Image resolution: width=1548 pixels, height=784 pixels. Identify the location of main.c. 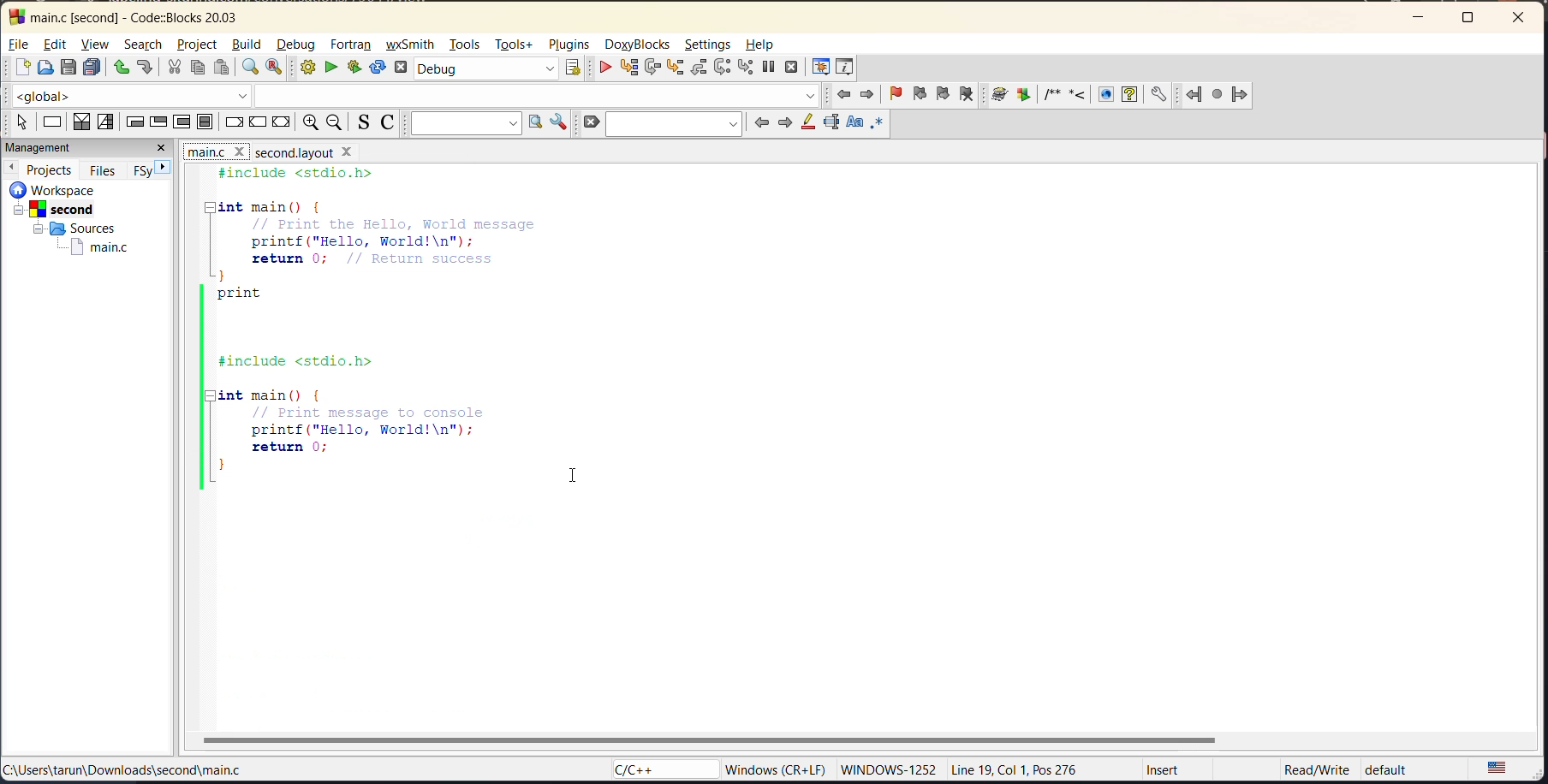
(97, 246).